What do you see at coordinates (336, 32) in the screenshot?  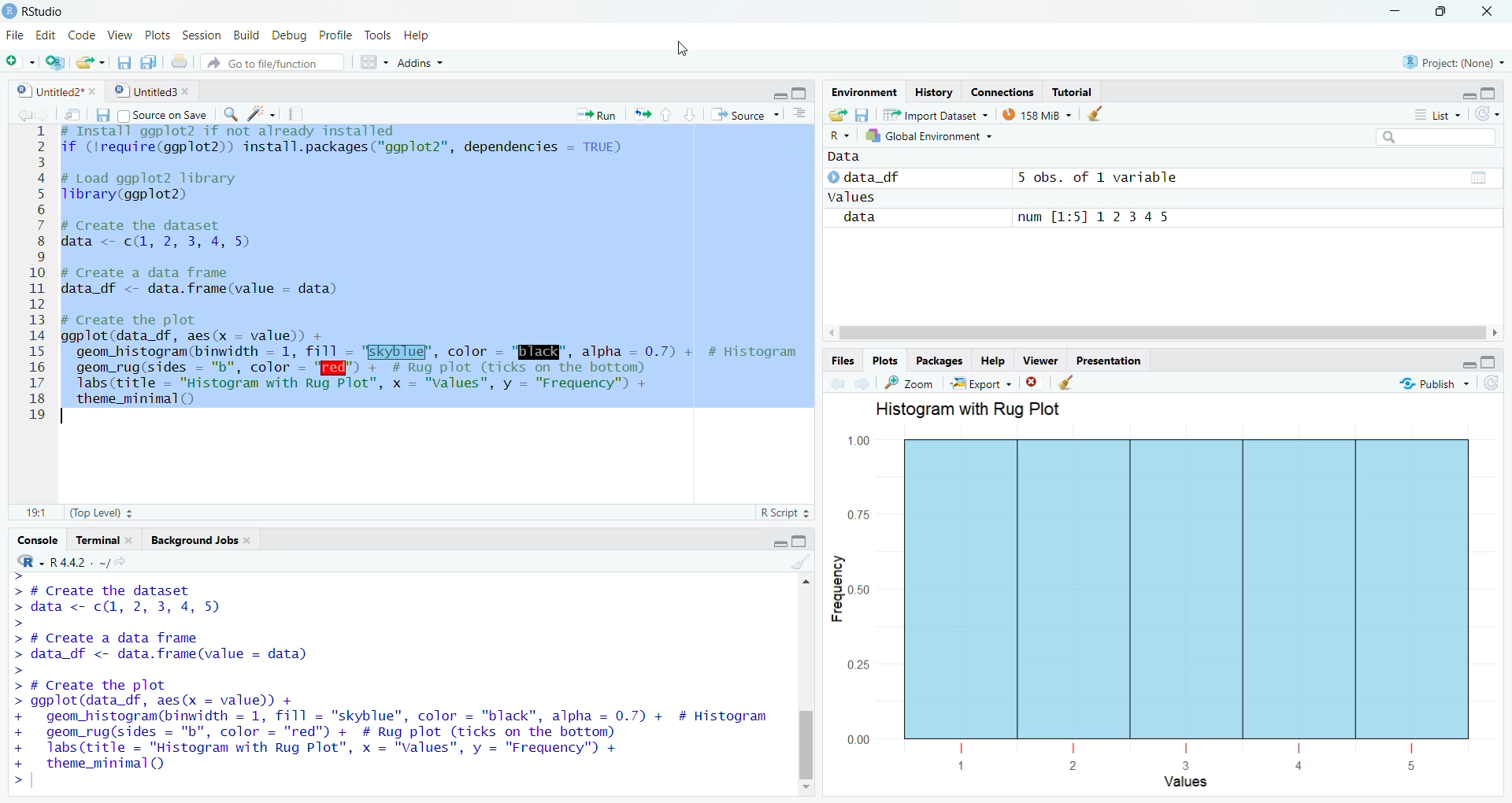 I see `Profile` at bounding box center [336, 32].